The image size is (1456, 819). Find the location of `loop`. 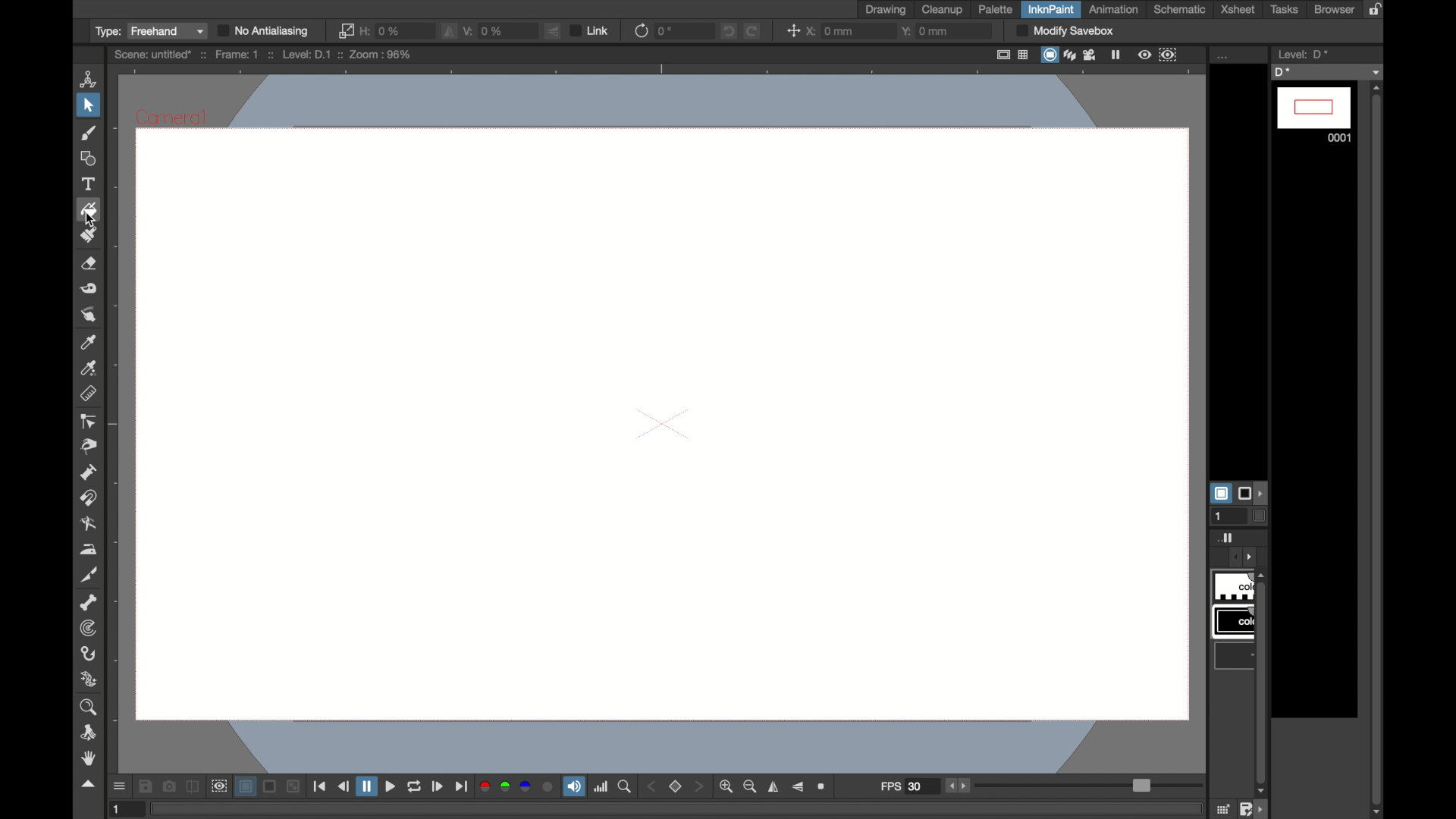

loop is located at coordinates (415, 786).